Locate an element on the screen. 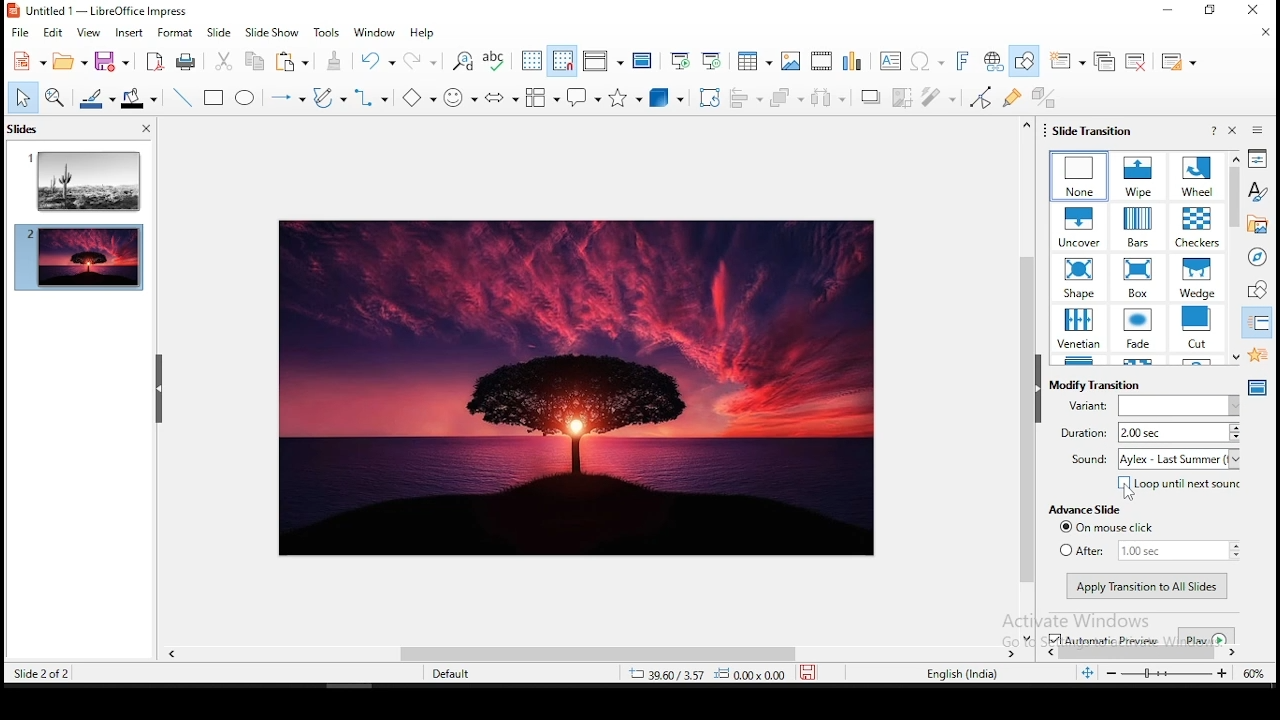  line color is located at coordinates (99, 98).